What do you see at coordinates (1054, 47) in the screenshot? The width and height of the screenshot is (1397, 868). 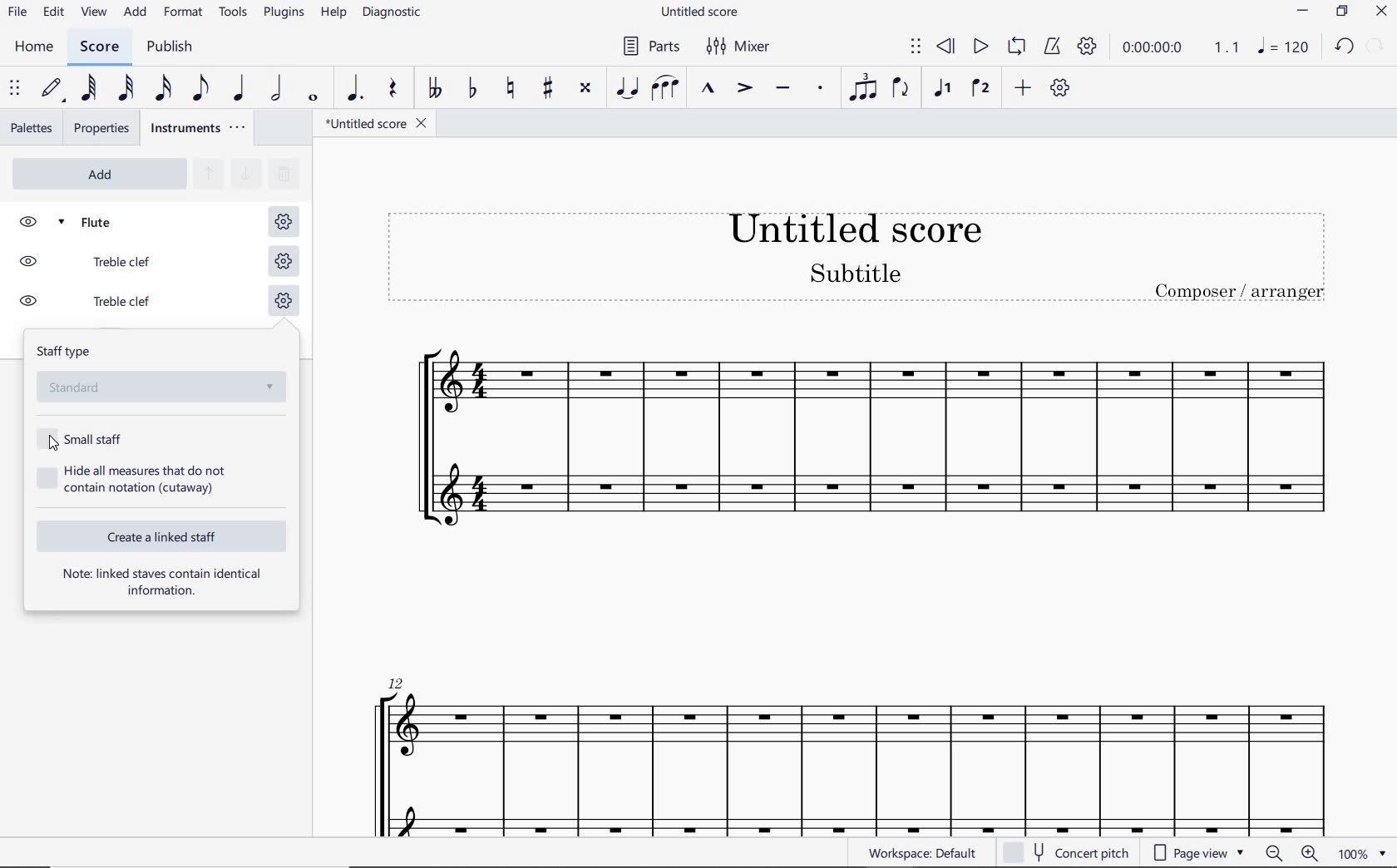 I see `METRONOME` at bounding box center [1054, 47].